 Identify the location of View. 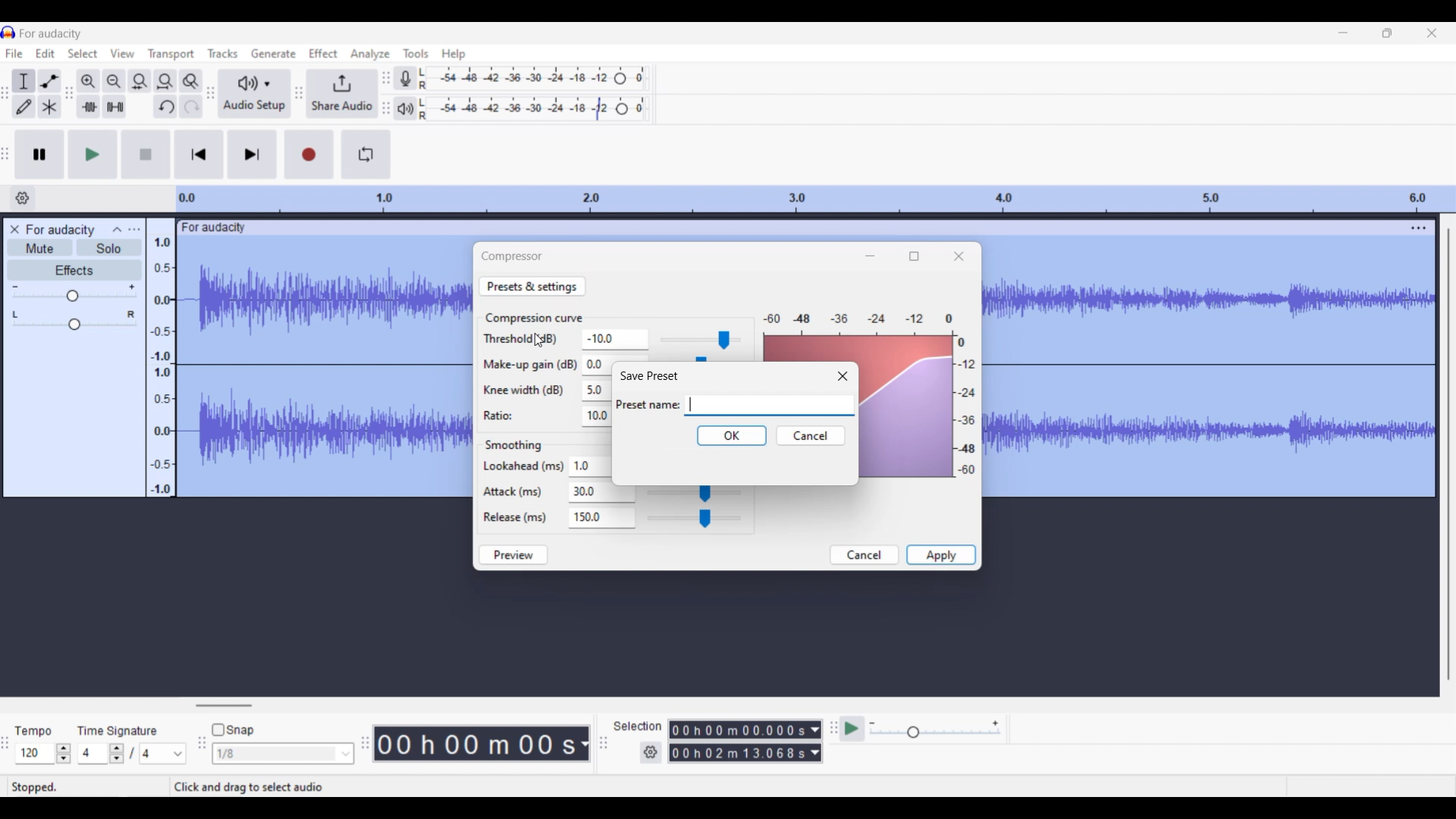
(122, 53).